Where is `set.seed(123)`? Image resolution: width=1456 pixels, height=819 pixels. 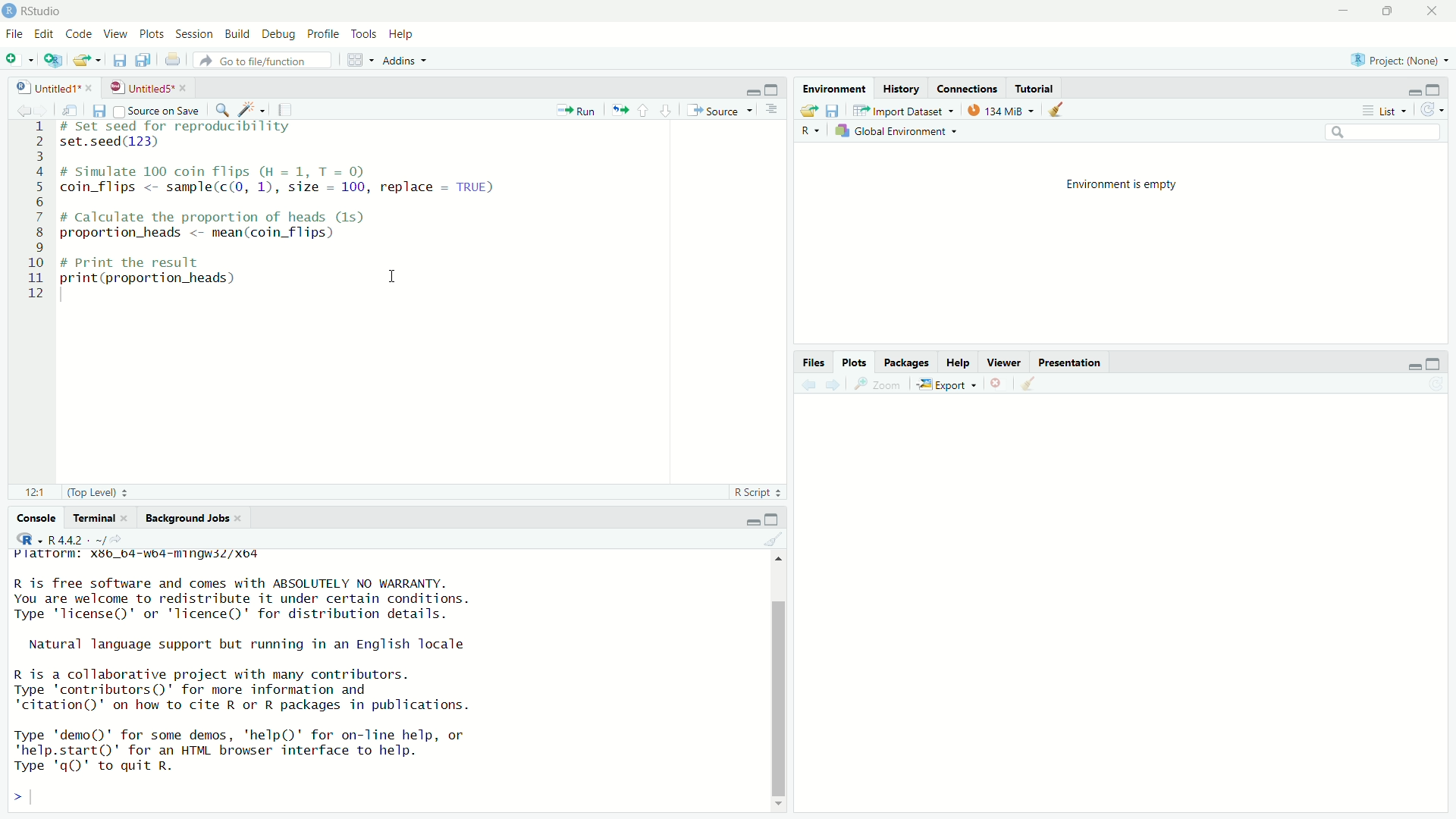
set.seed(123) is located at coordinates (117, 143).